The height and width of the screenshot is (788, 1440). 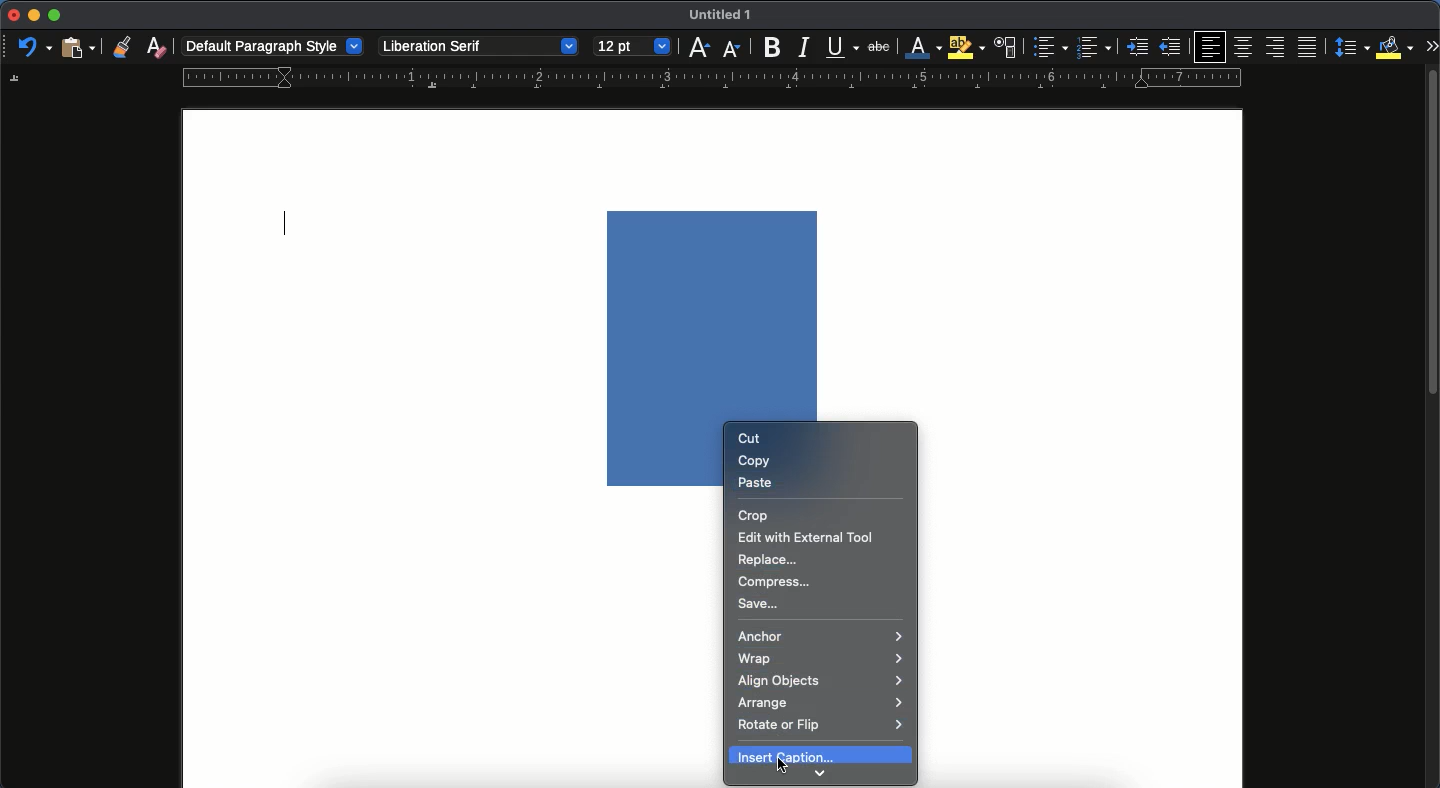 I want to click on guide, so click(x=713, y=78).